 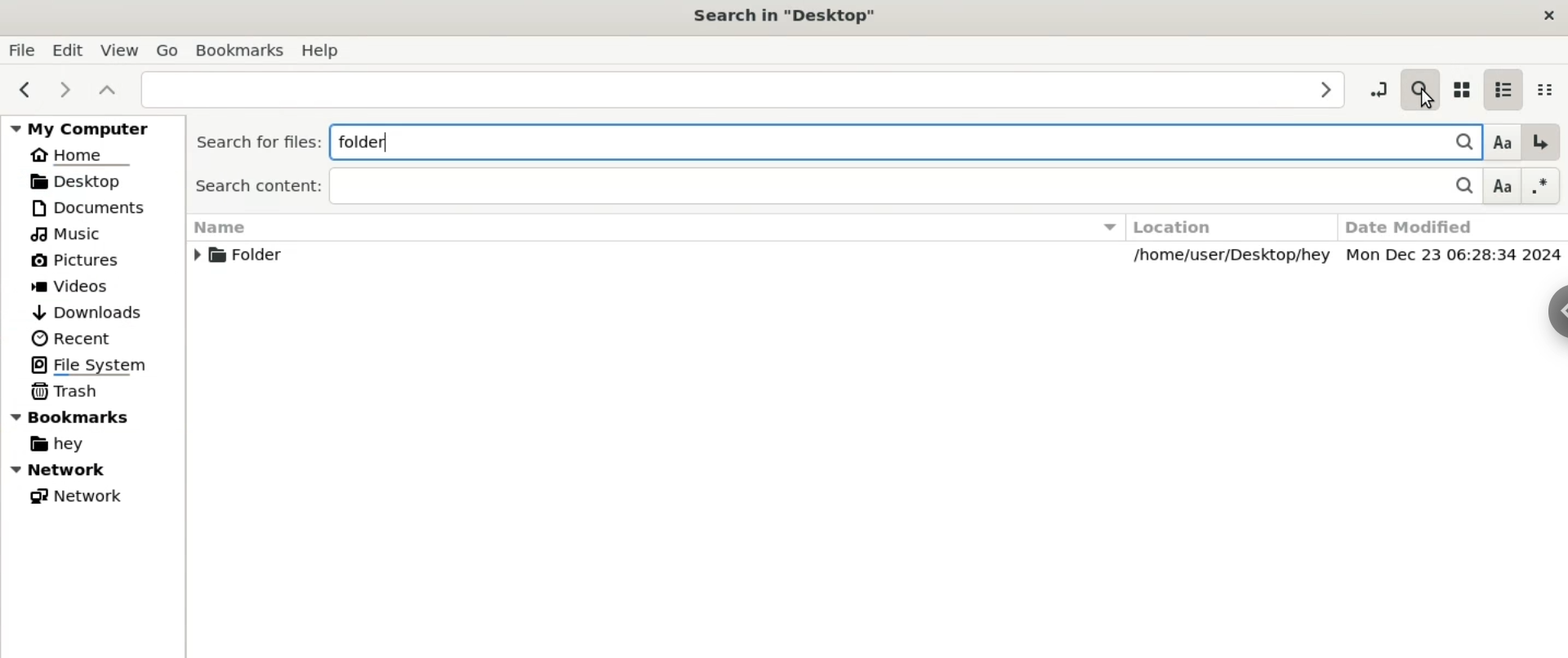 What do you see at coordinates (252, 259) in the screenshot?
I see `Folder` at bounding box center [252, 259].